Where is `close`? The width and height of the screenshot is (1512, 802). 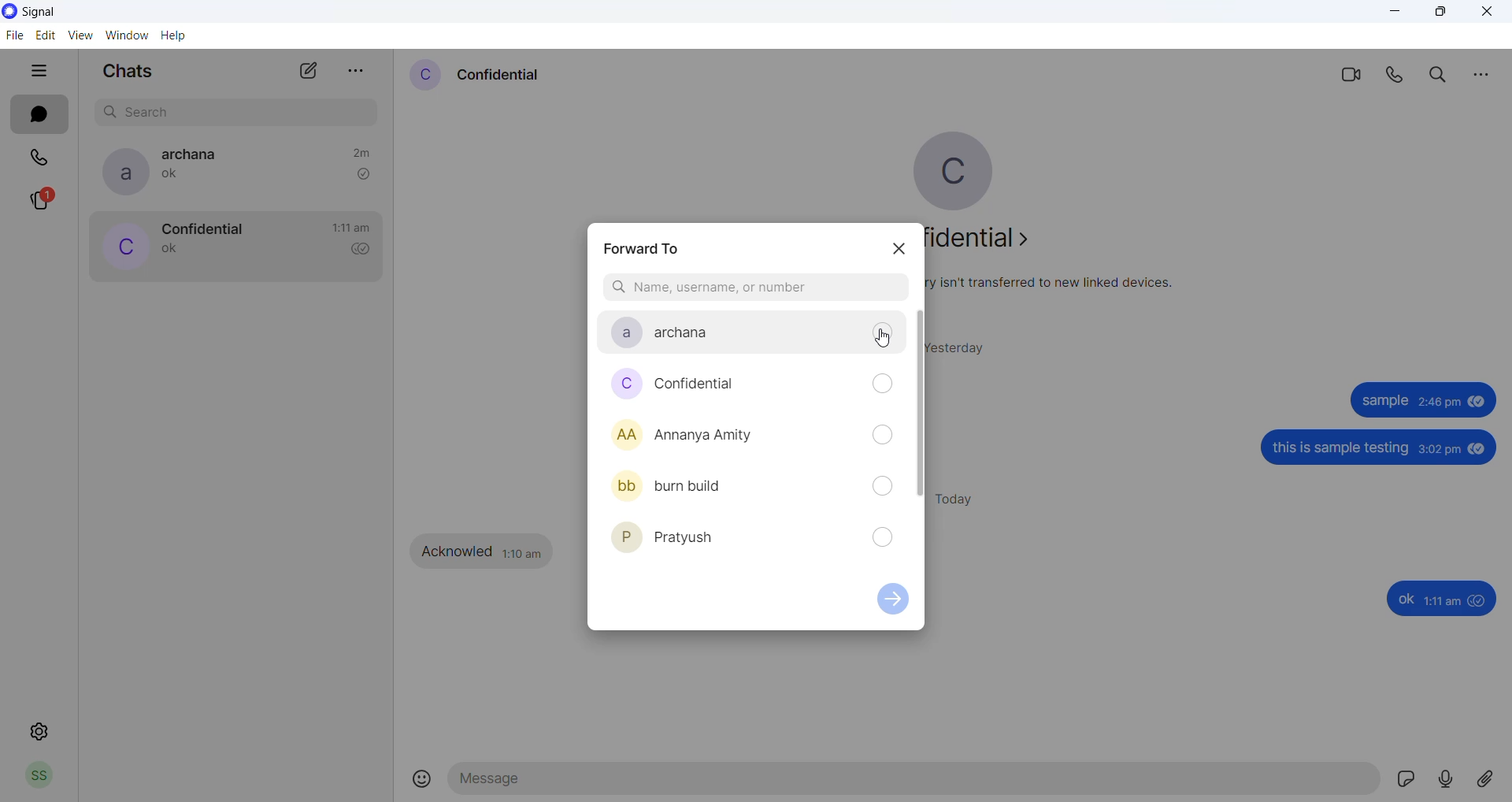
close is located at coordinates (1487, 13).